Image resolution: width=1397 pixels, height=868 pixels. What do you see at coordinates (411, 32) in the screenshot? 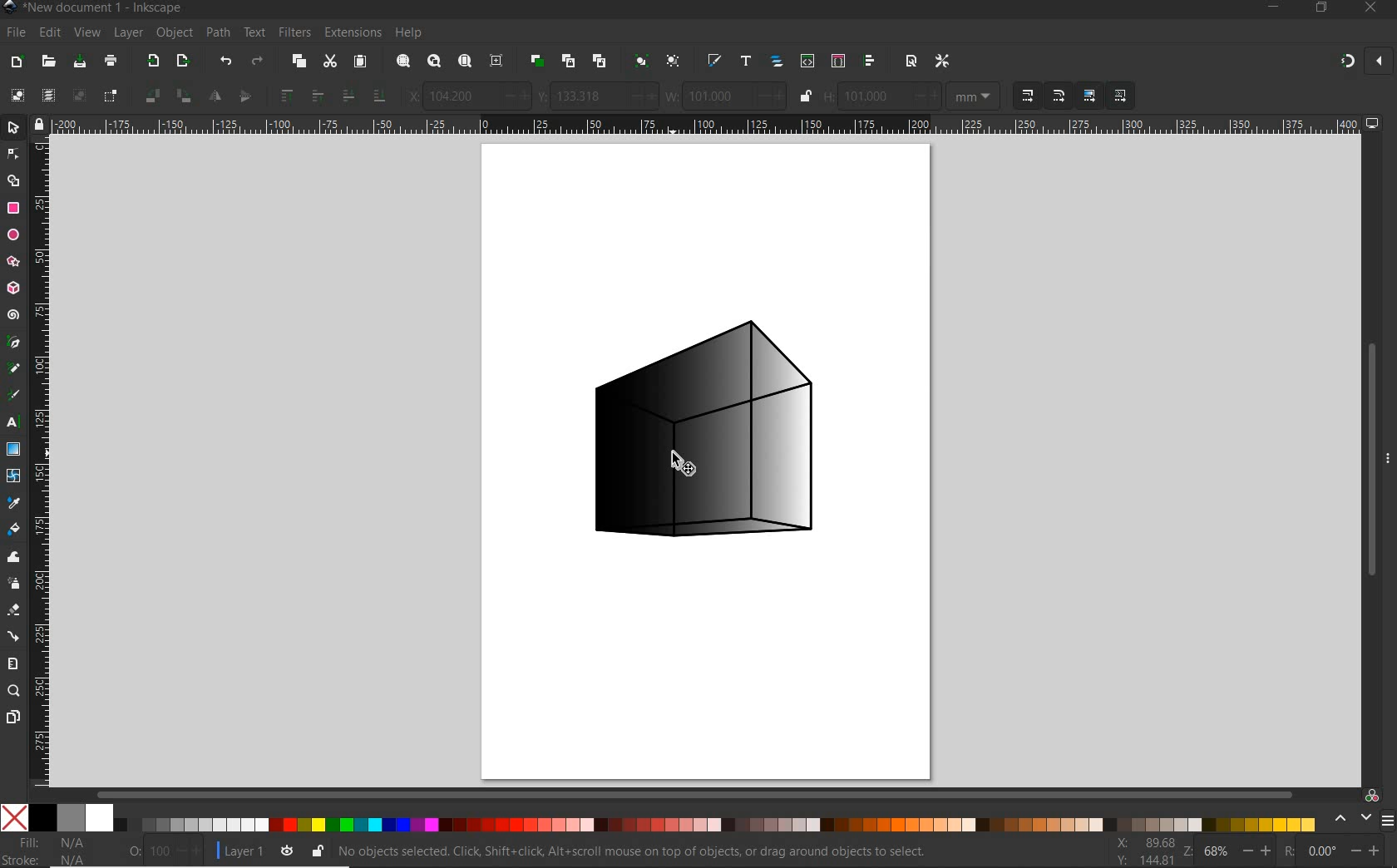
I see `HELP` at bounding box center [411, 32].